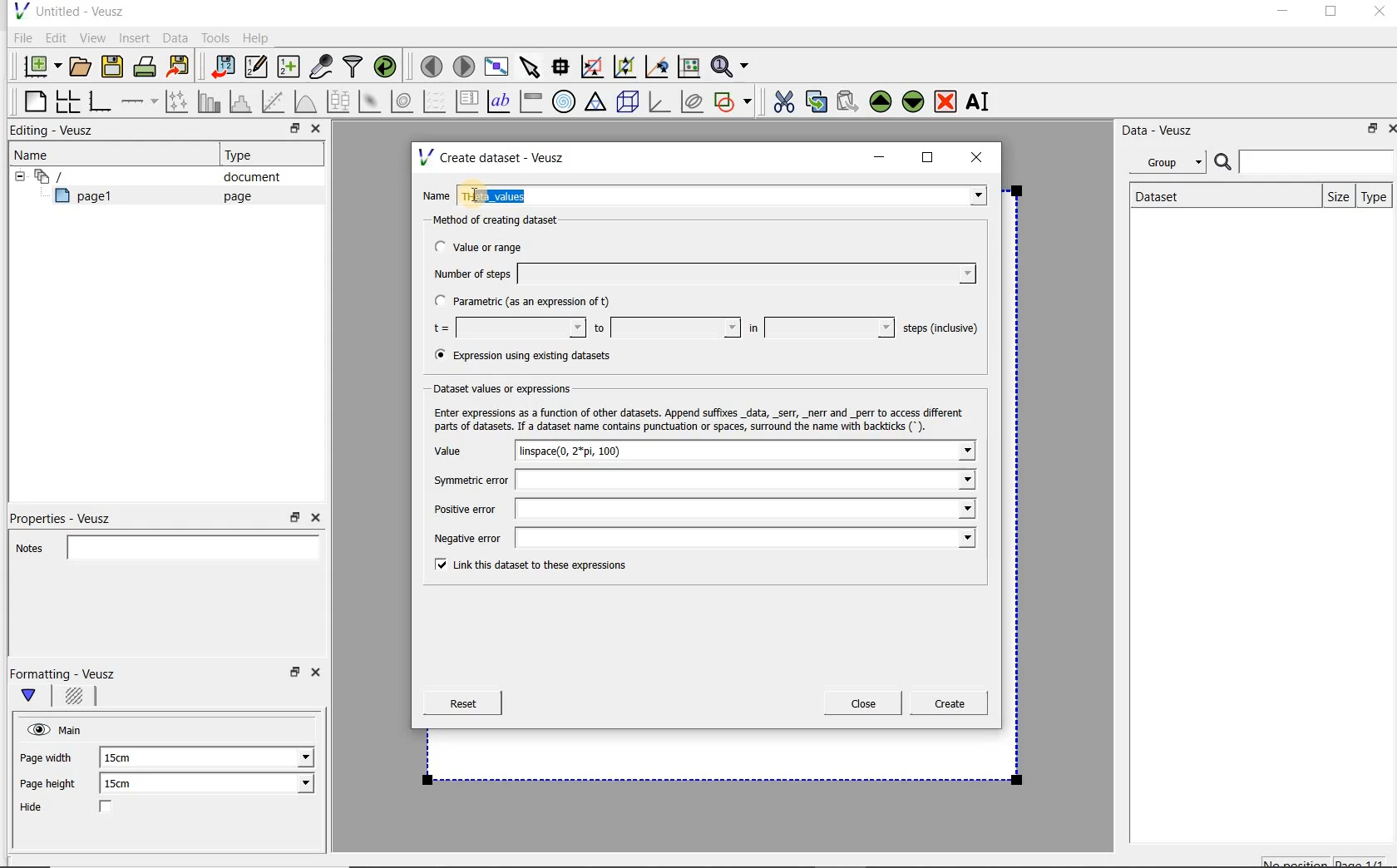  What do you see at coordinates (465, 451) in the screenshot?
I see `Value` at bounding box center [465, 451].